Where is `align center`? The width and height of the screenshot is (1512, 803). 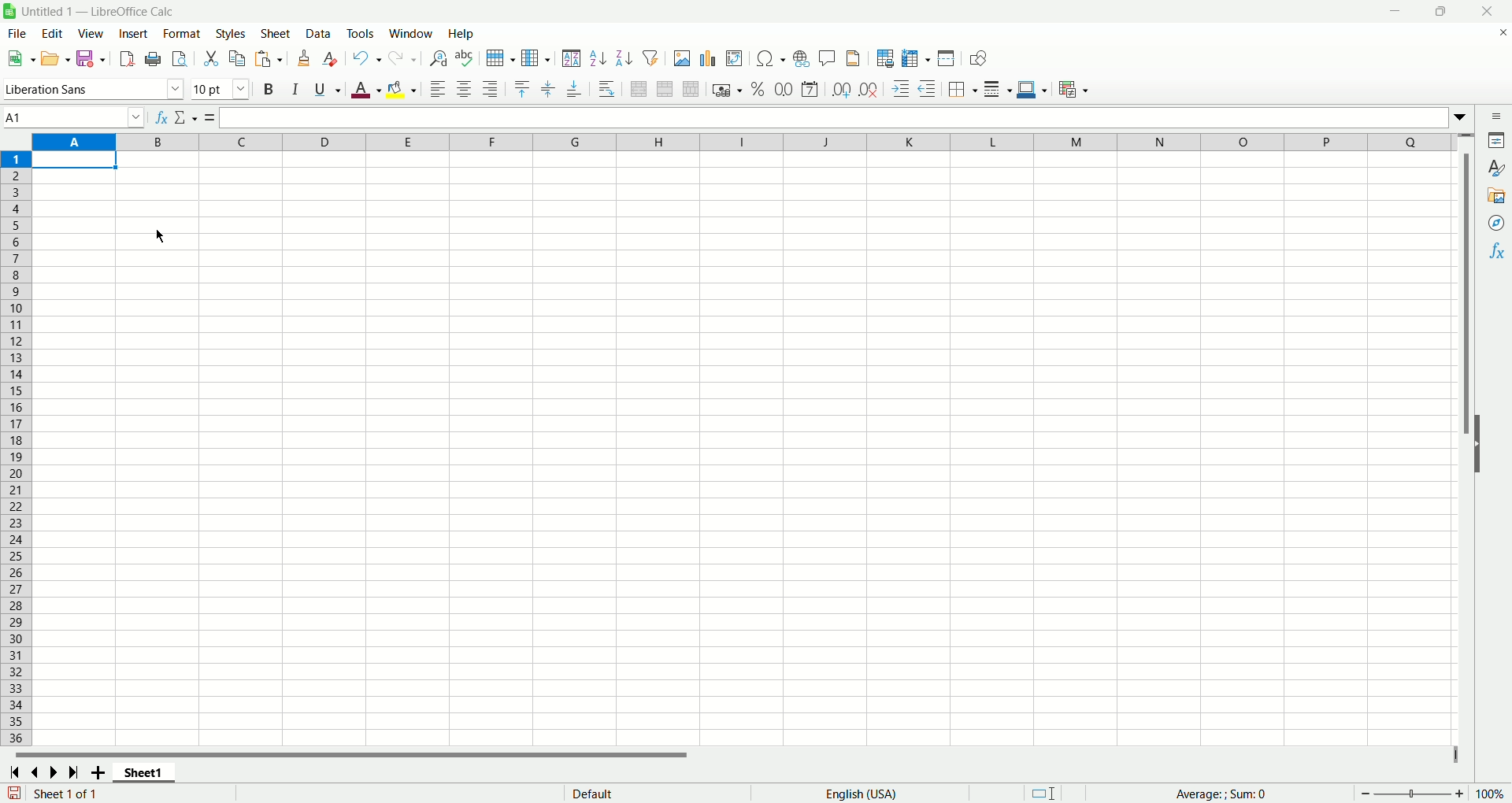
align center is located at coordinates (465, 89).